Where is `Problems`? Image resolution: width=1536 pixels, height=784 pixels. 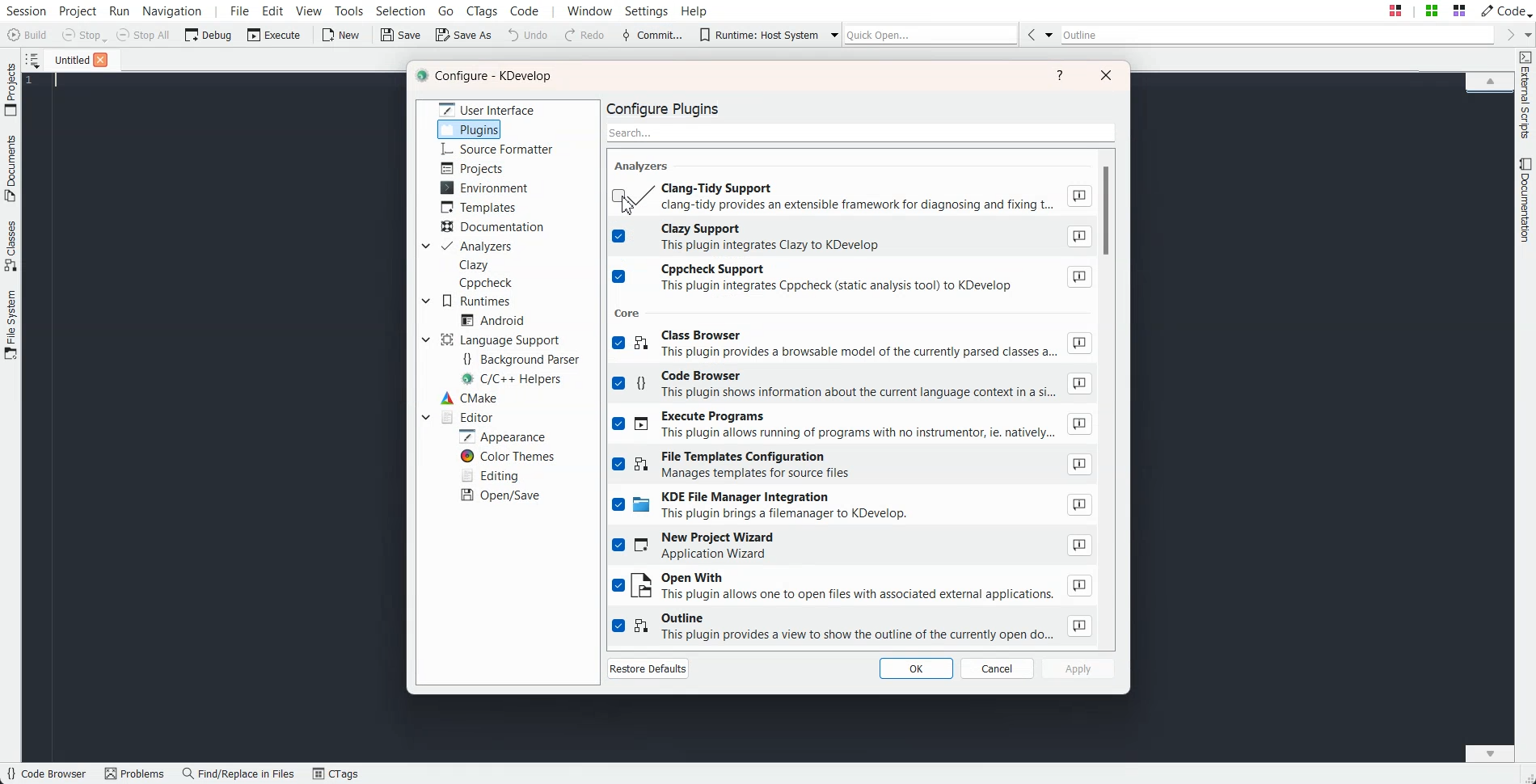 Problems is located at coordinates (134, 774).